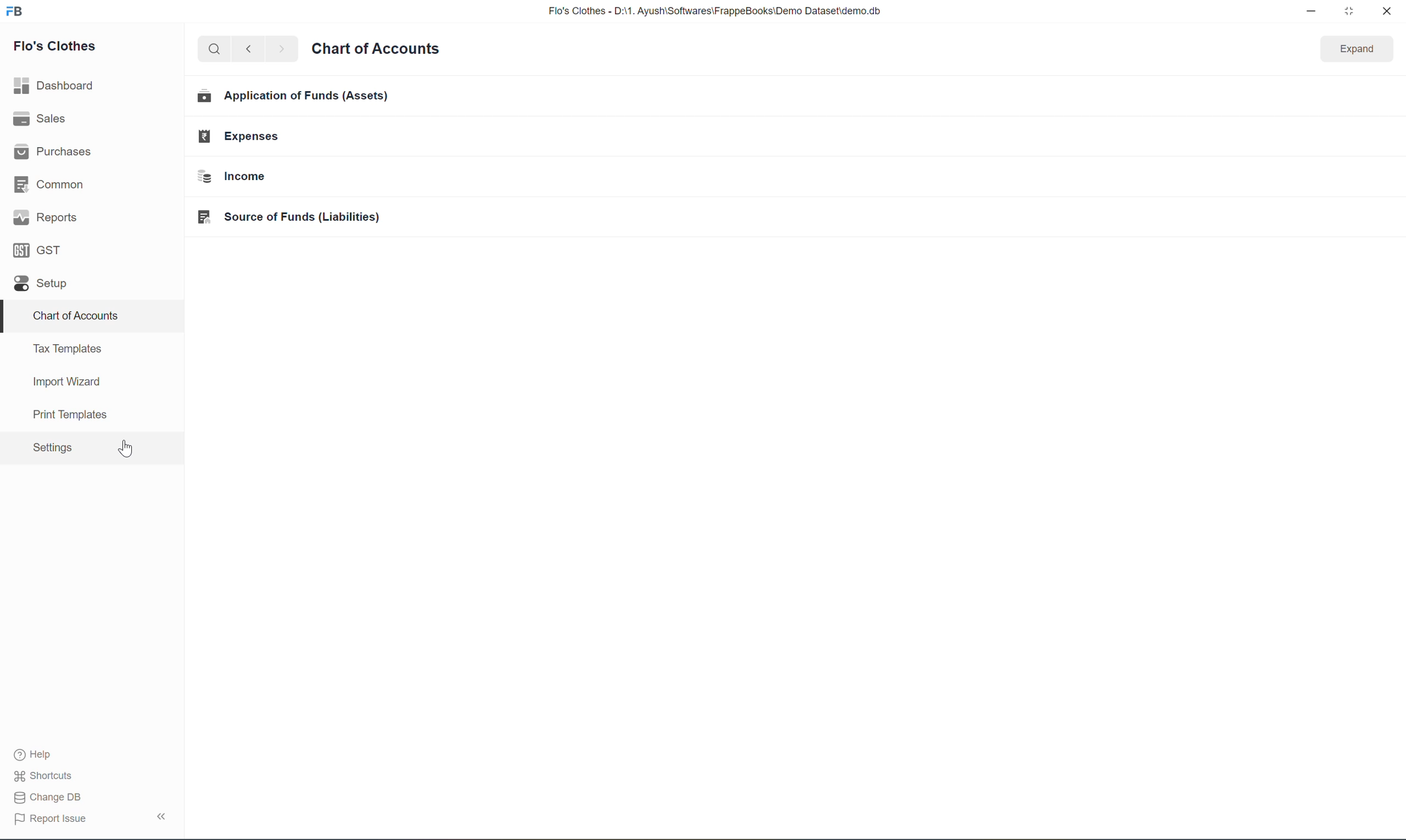 This screenshot has width=1406, height=840. I want to click on Flo's Clothes - D:\1. Ayush\Softwares\FrappeBooks\Demo Dataset\demo.db, so click(713, 10).